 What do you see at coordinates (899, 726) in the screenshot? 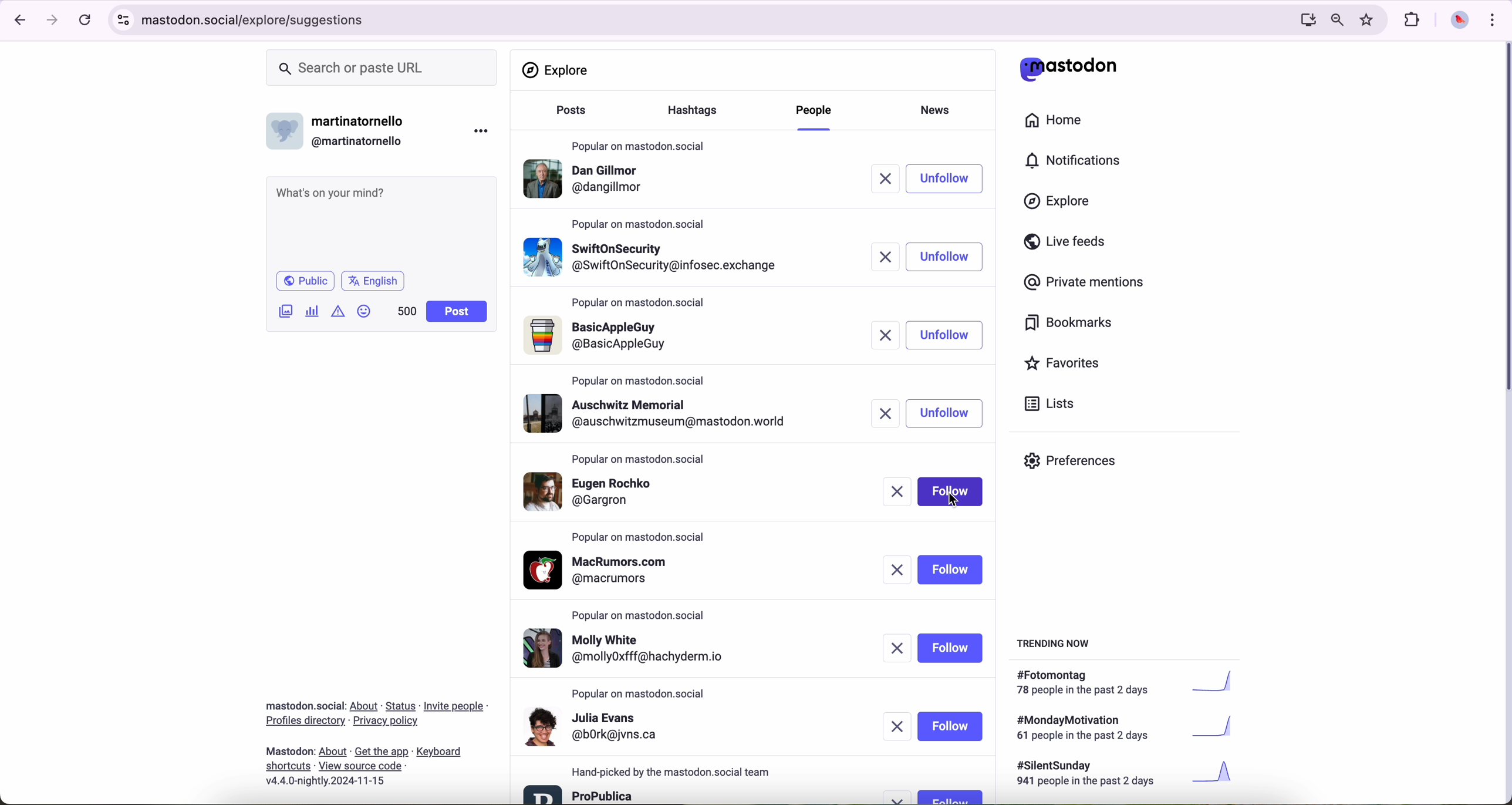
I see `remove` at bounding box center [899, 726].